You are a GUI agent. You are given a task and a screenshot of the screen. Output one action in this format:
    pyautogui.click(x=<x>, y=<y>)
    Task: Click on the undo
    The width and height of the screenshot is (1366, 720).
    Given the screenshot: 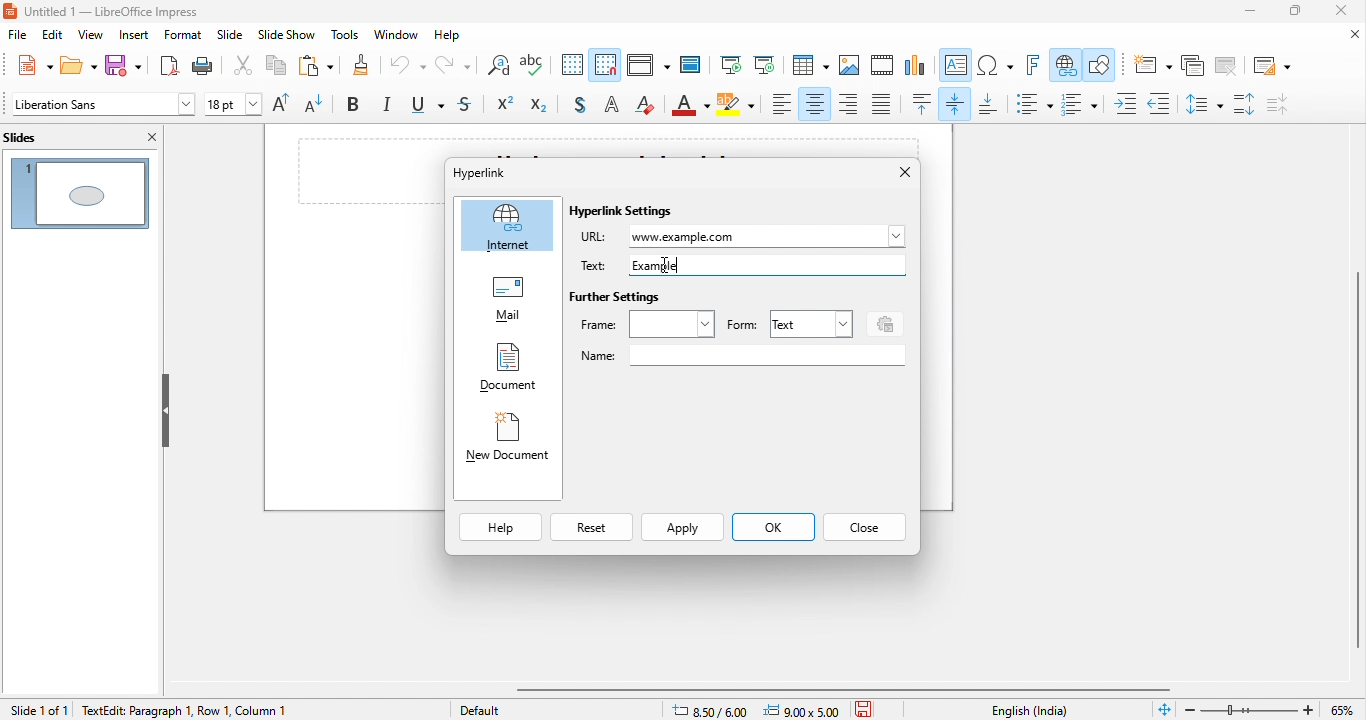 What is the action you would take?
    pyautogui.click(x=408, y=69)
    